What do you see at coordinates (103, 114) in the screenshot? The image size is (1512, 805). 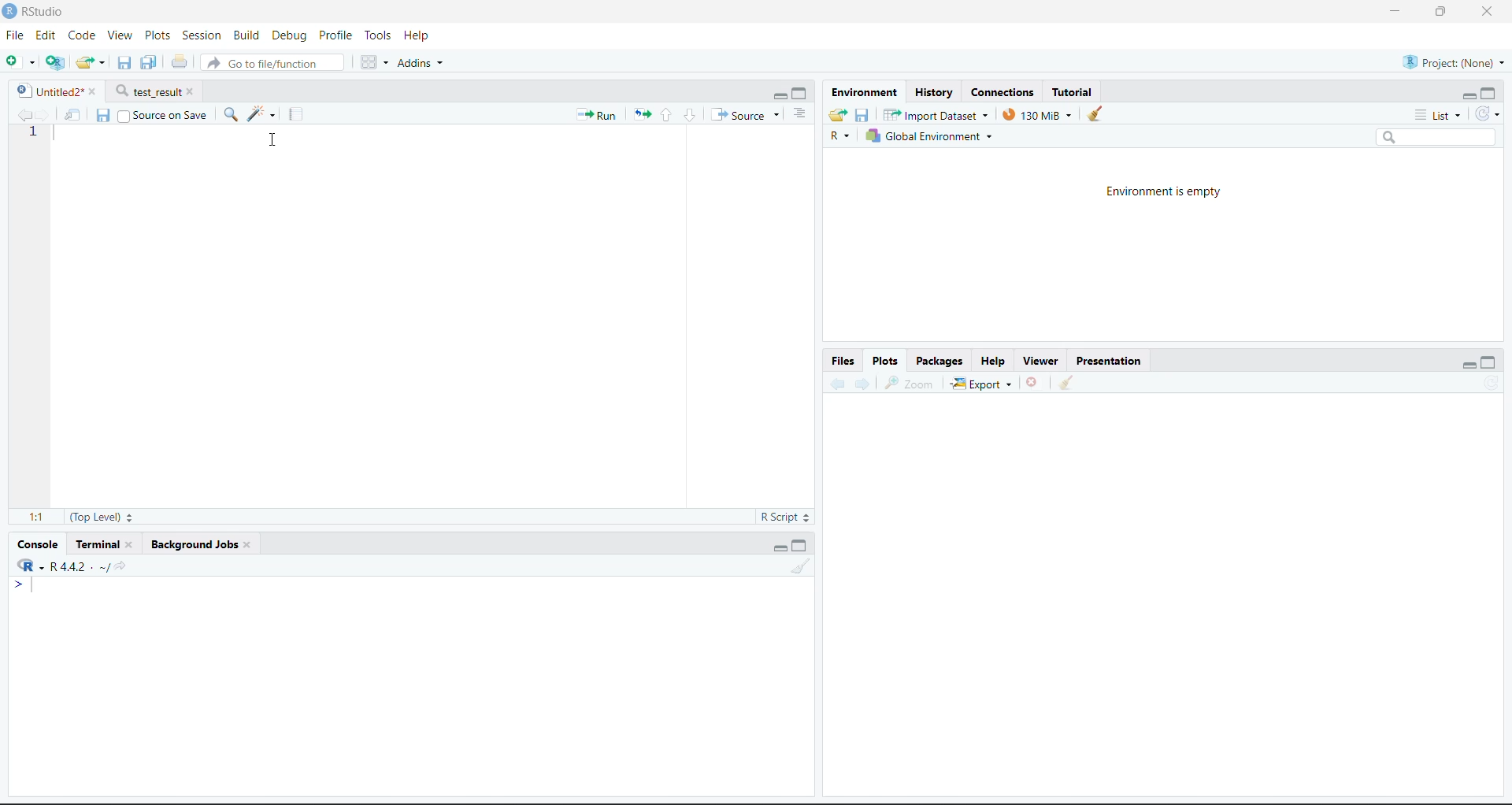 I see `Save current document (Ctrl + S)` at bounding box center [103, 114].